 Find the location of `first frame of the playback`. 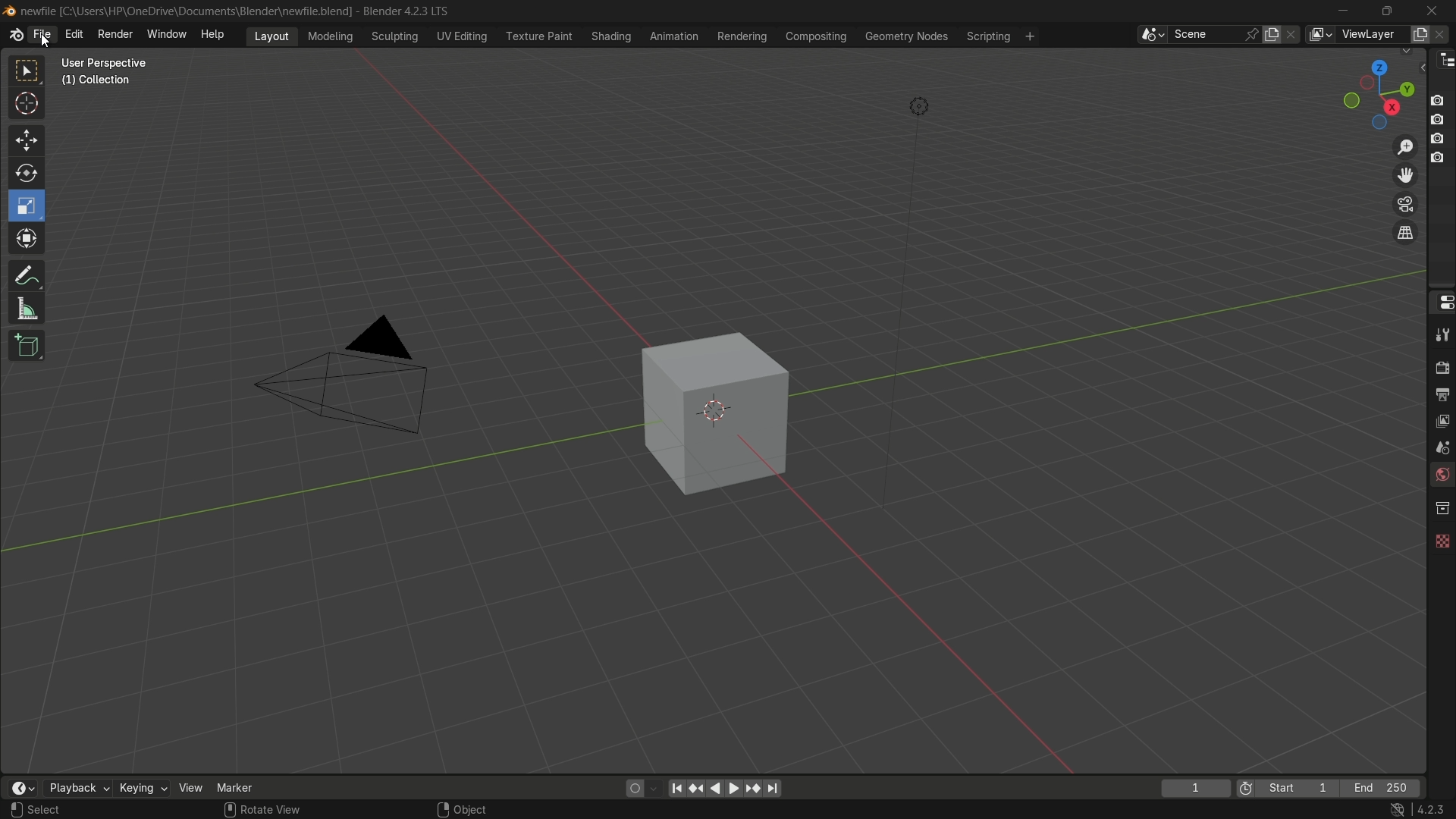

first frame of the playback is located at coordinates (1288, 788).